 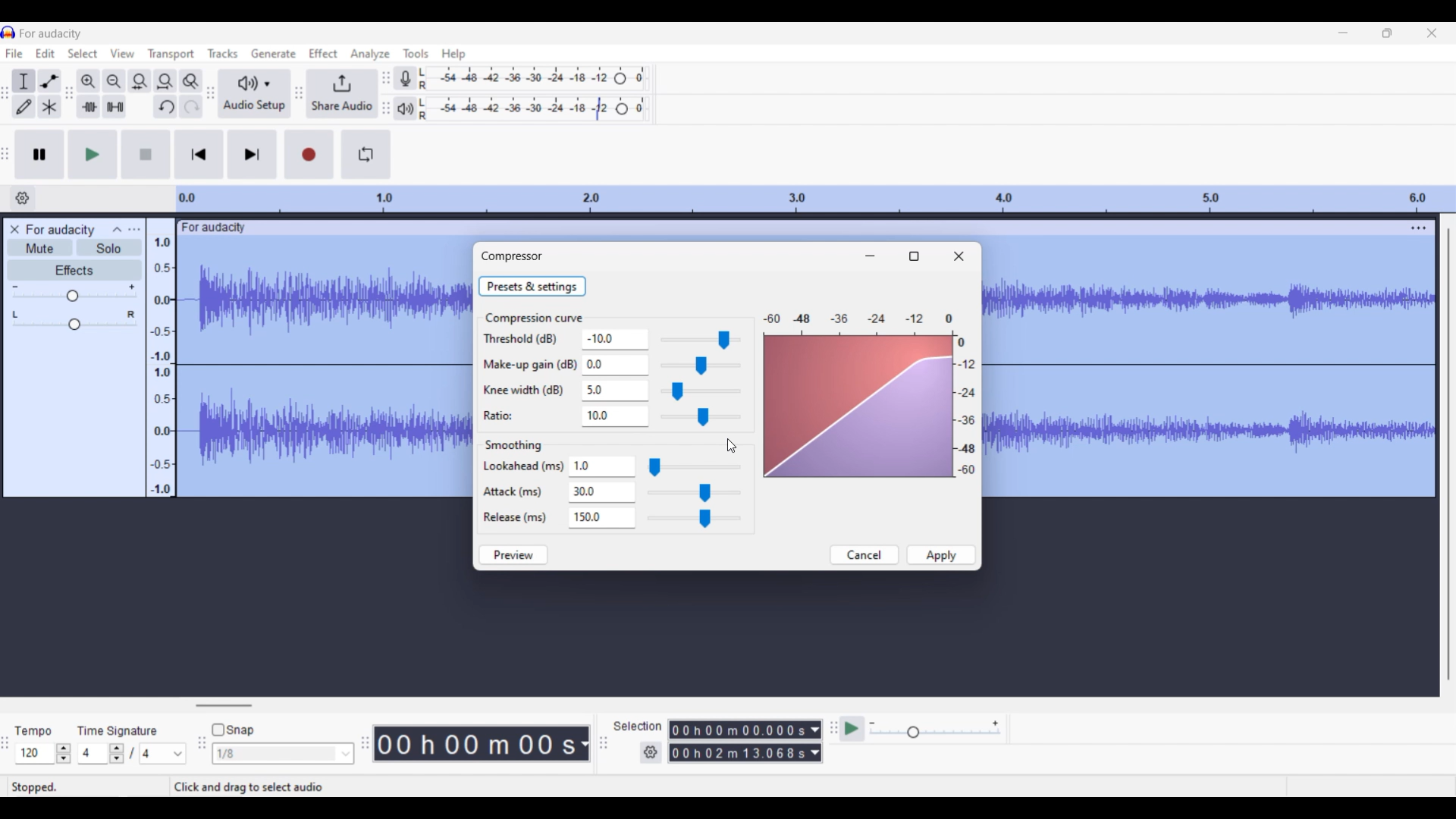 What do you see at coordinates (14, 53) in the screenshot?
I see `File` at bounding box center [14, 53].